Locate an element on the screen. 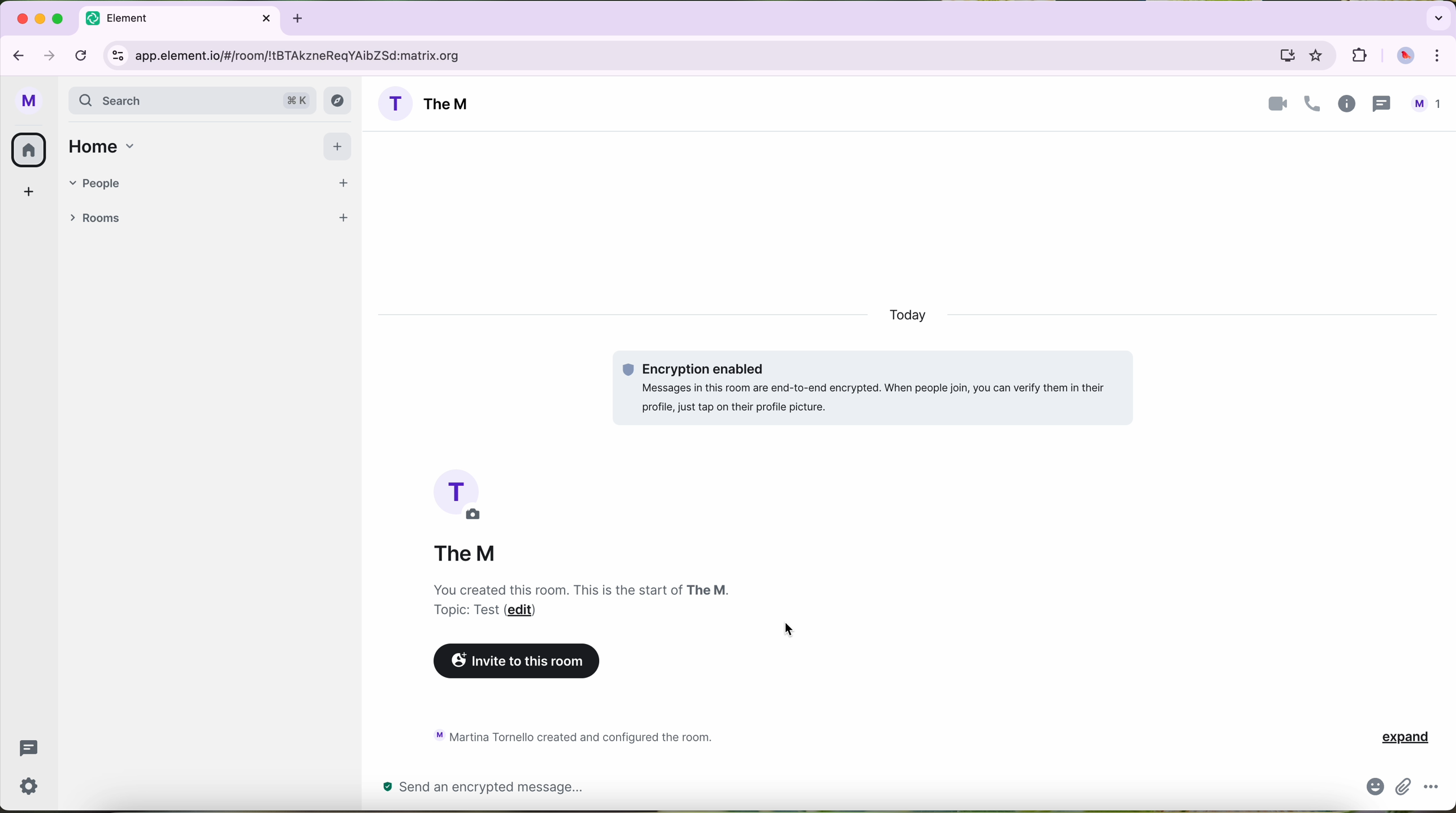 Image resolution: width=1456 pixels, height=813 pixels. information is located at coordinates (1319, 105).